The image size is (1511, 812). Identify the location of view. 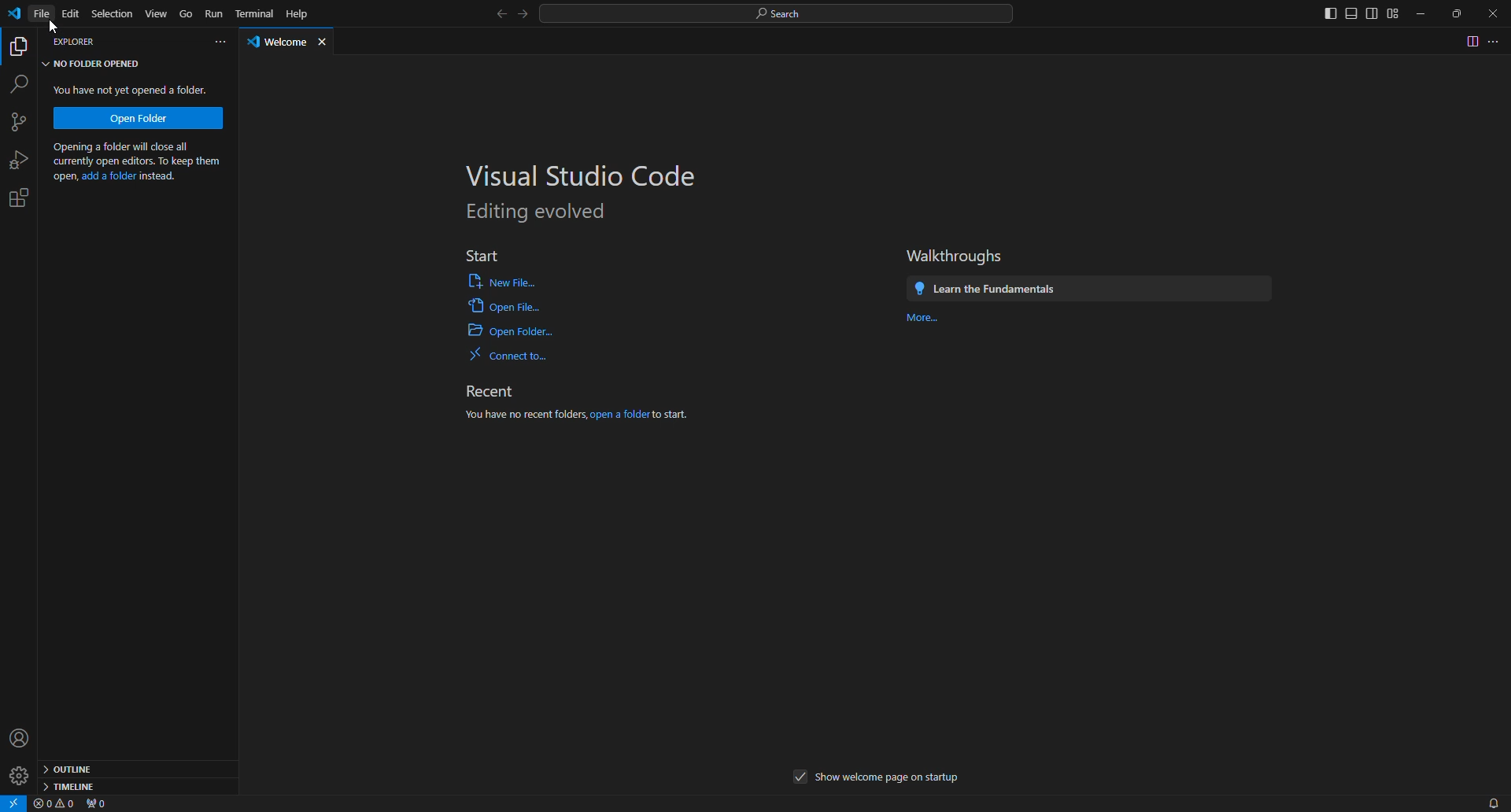
(156, 12).